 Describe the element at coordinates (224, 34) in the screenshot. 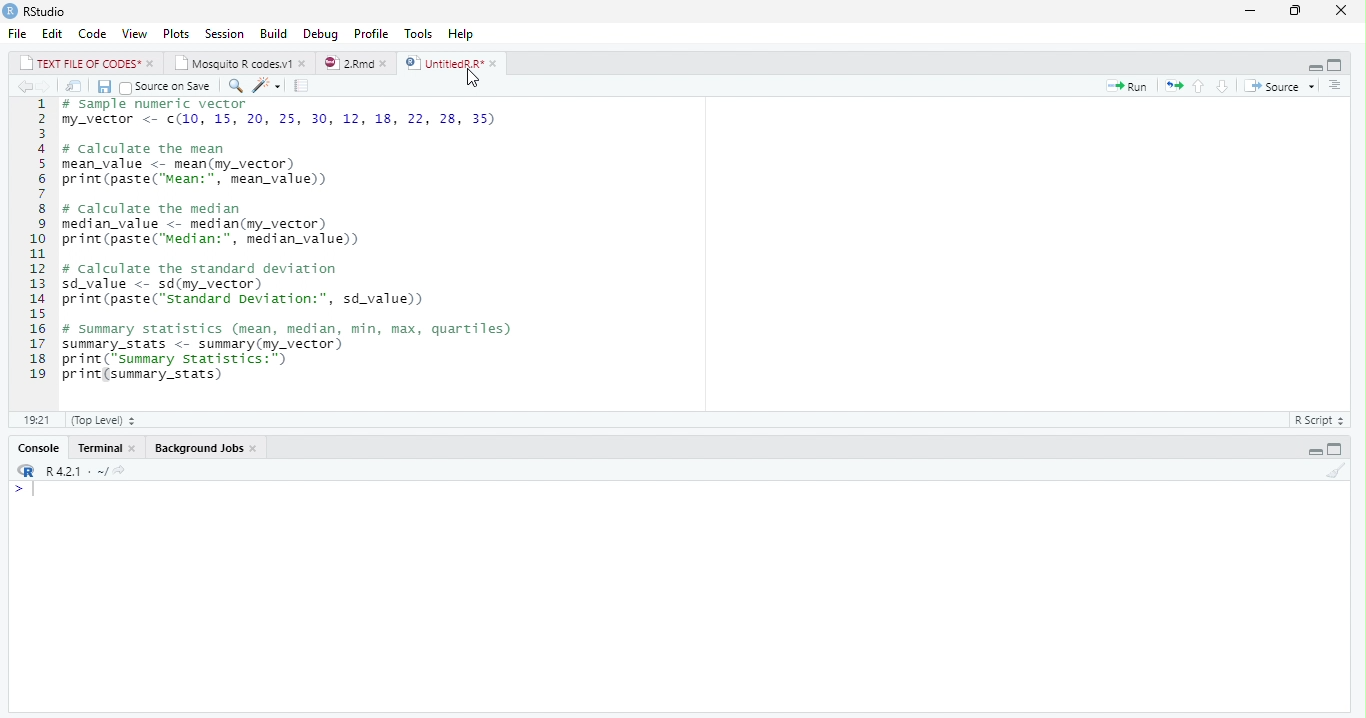

I see `session` at that location.